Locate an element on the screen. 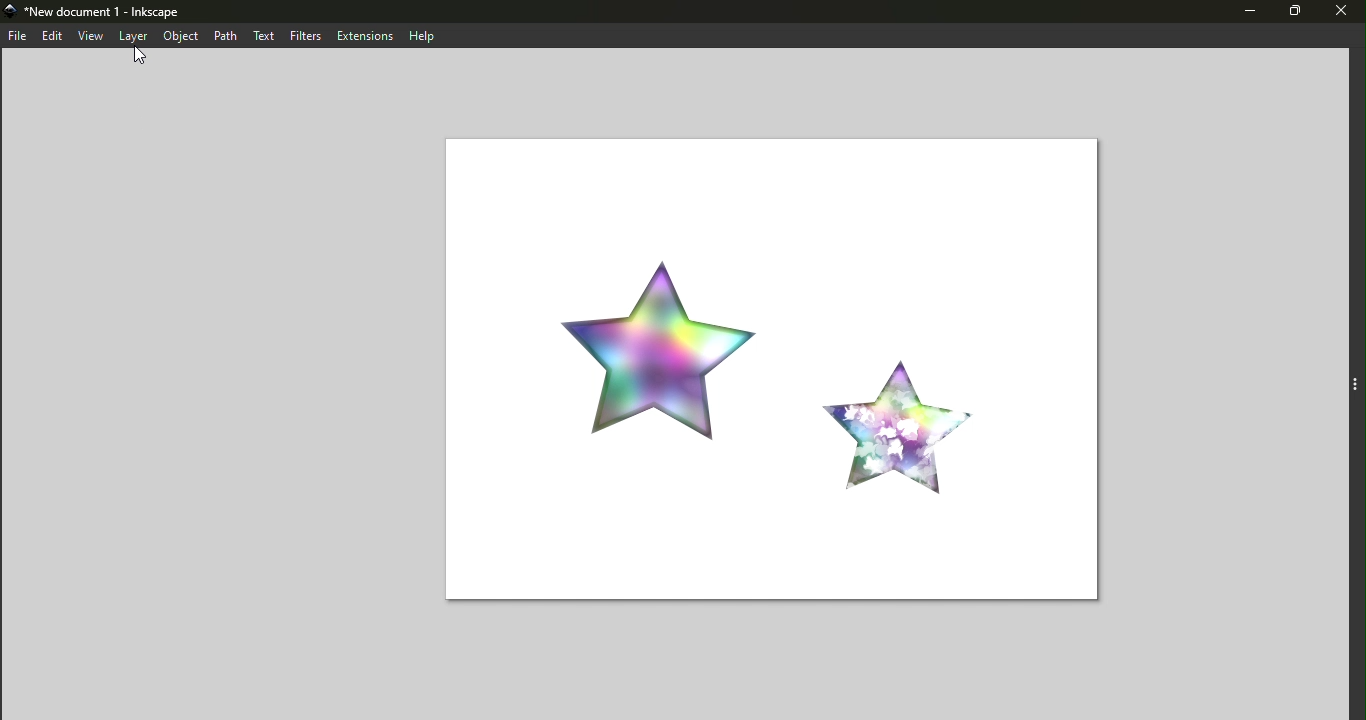 This screenshot has width=1366, height=720. New document 1 - Inkscape is located at coordinates (96, 13).